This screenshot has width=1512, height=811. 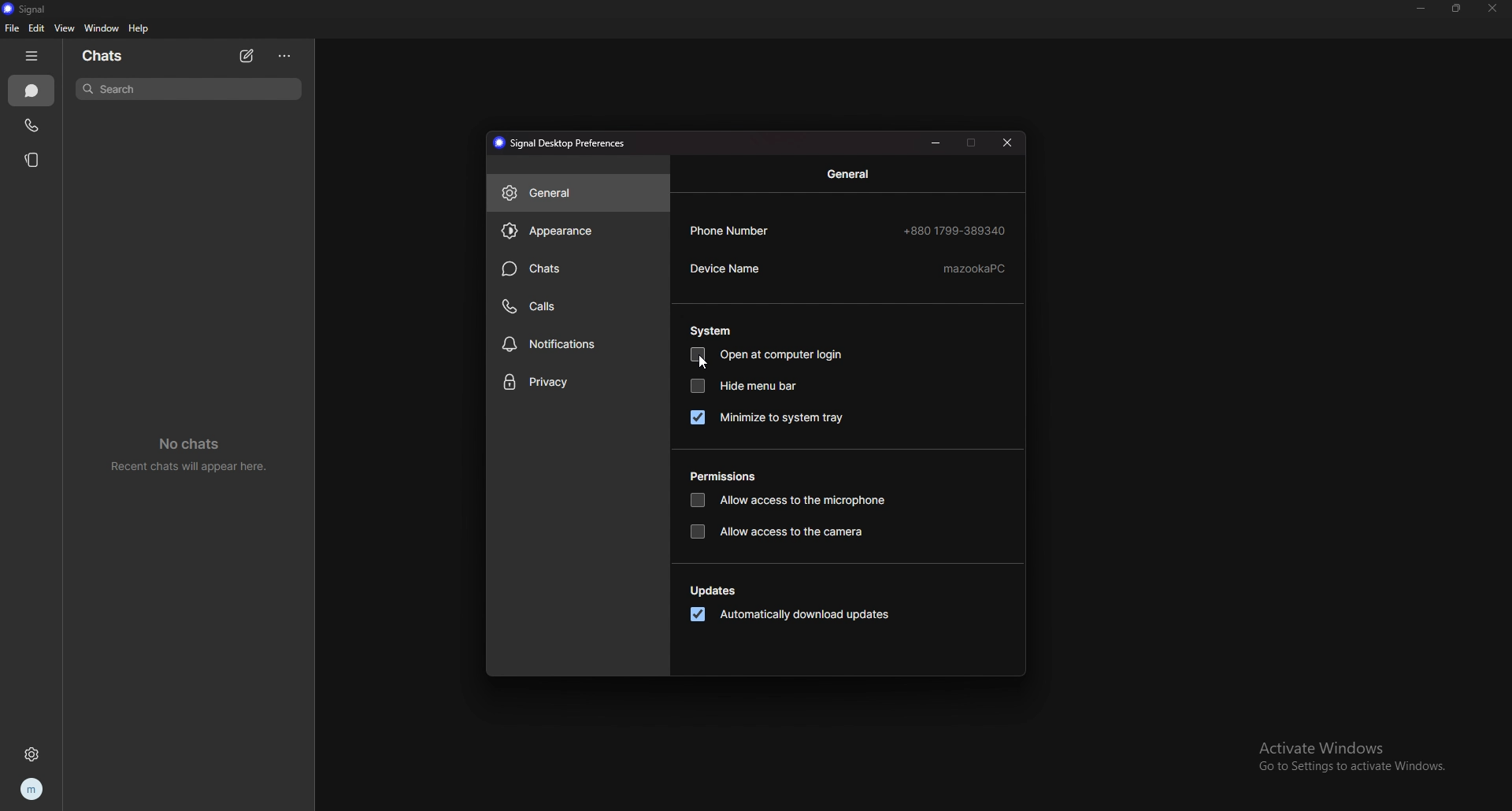 What do you see at coordinates (717, 592) in the screenshot?
I see `updates` at bounding box center [717, 592].